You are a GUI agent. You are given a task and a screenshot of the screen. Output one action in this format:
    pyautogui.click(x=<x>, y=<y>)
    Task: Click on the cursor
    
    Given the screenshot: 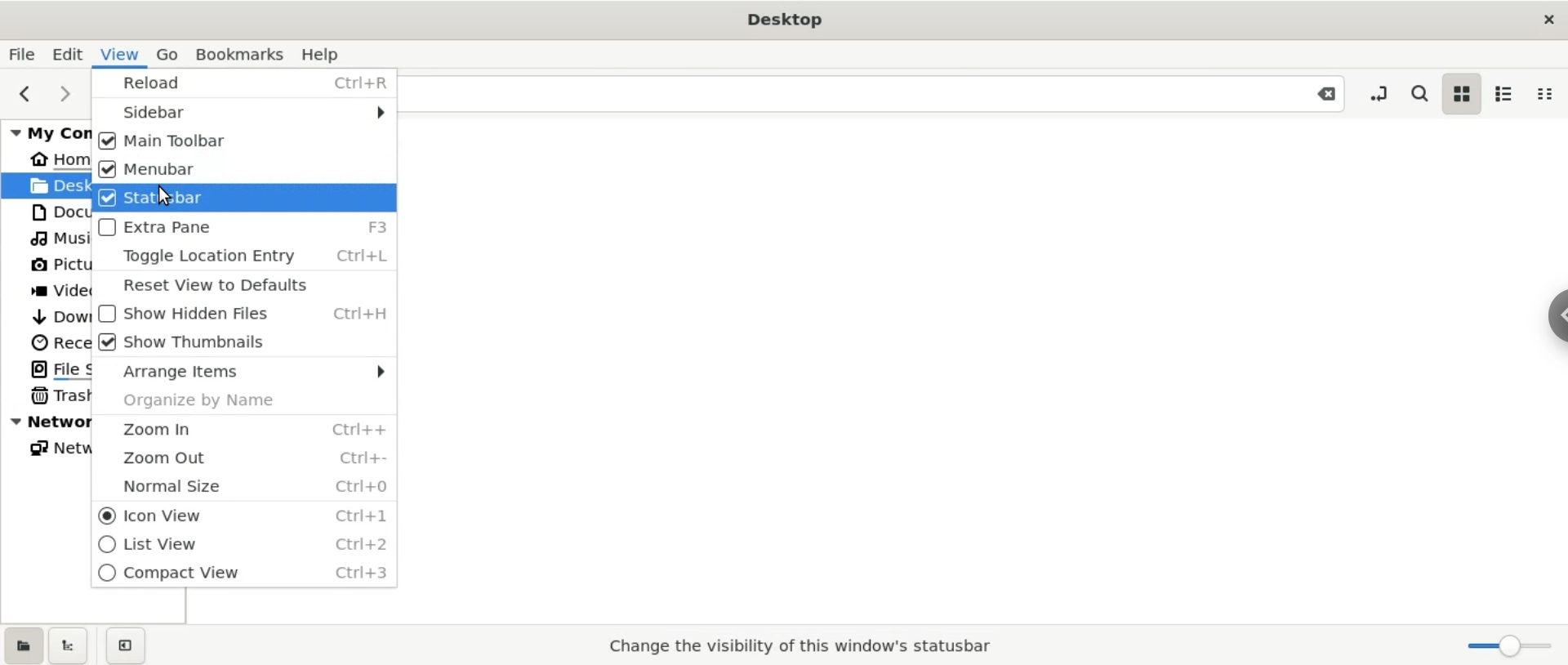 What is the action you would take?
    pyautogui.click(x=162, y=196)
    